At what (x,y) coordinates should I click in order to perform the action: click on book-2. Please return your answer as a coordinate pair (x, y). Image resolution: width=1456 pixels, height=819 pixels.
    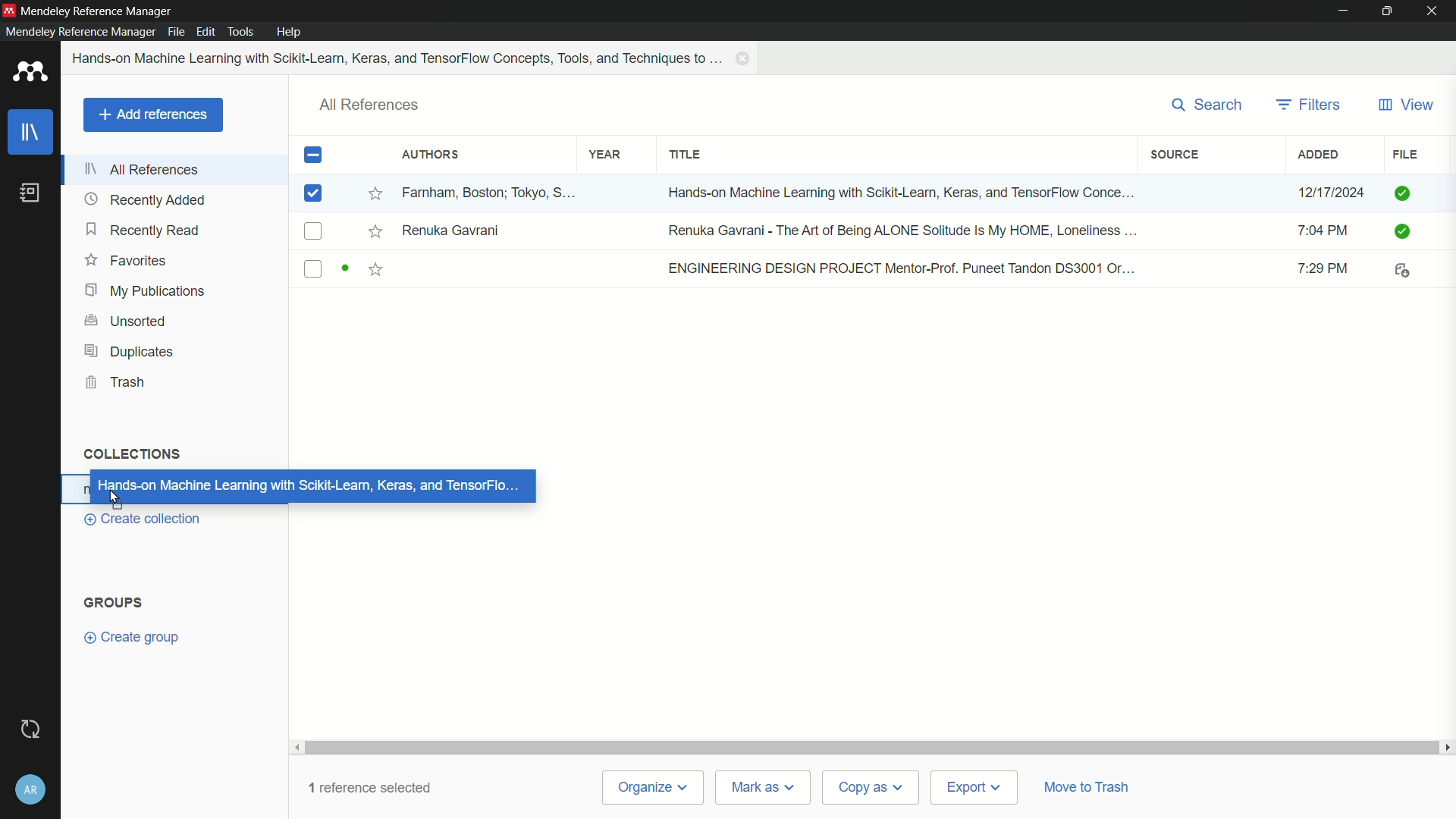
    Looking at the image, I should click on (866, 231).